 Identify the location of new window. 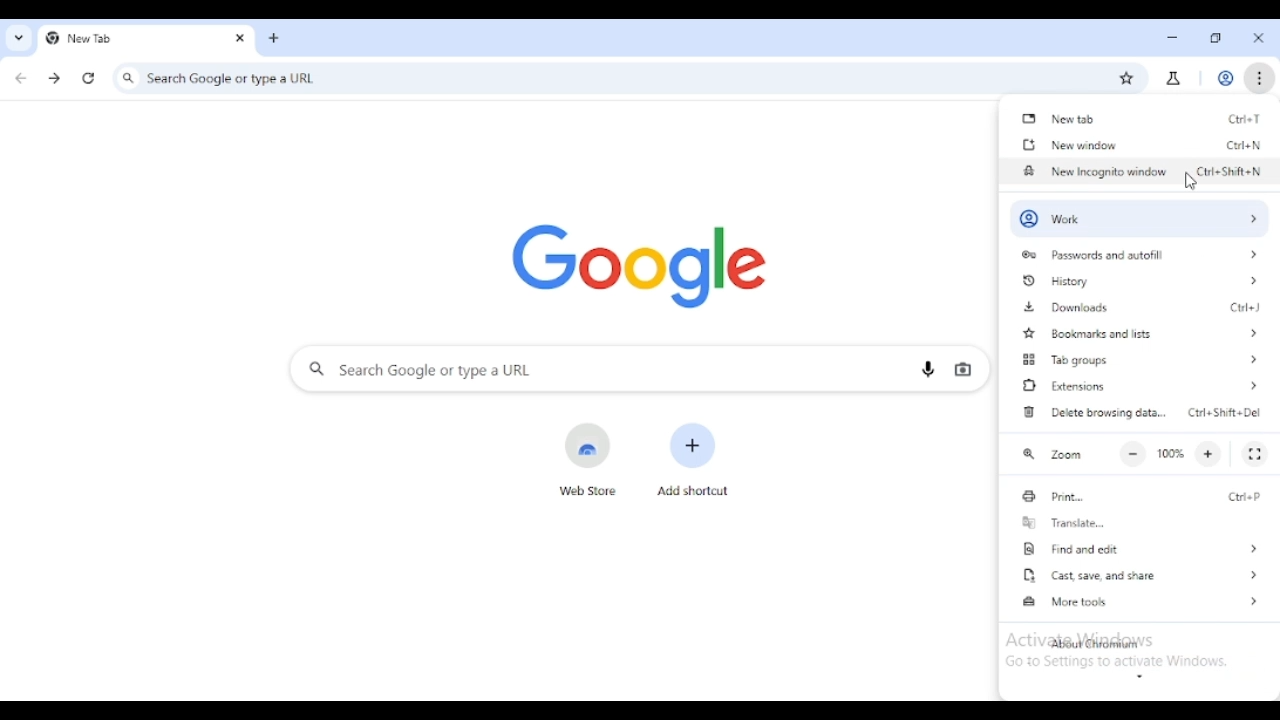
(1243, 145).